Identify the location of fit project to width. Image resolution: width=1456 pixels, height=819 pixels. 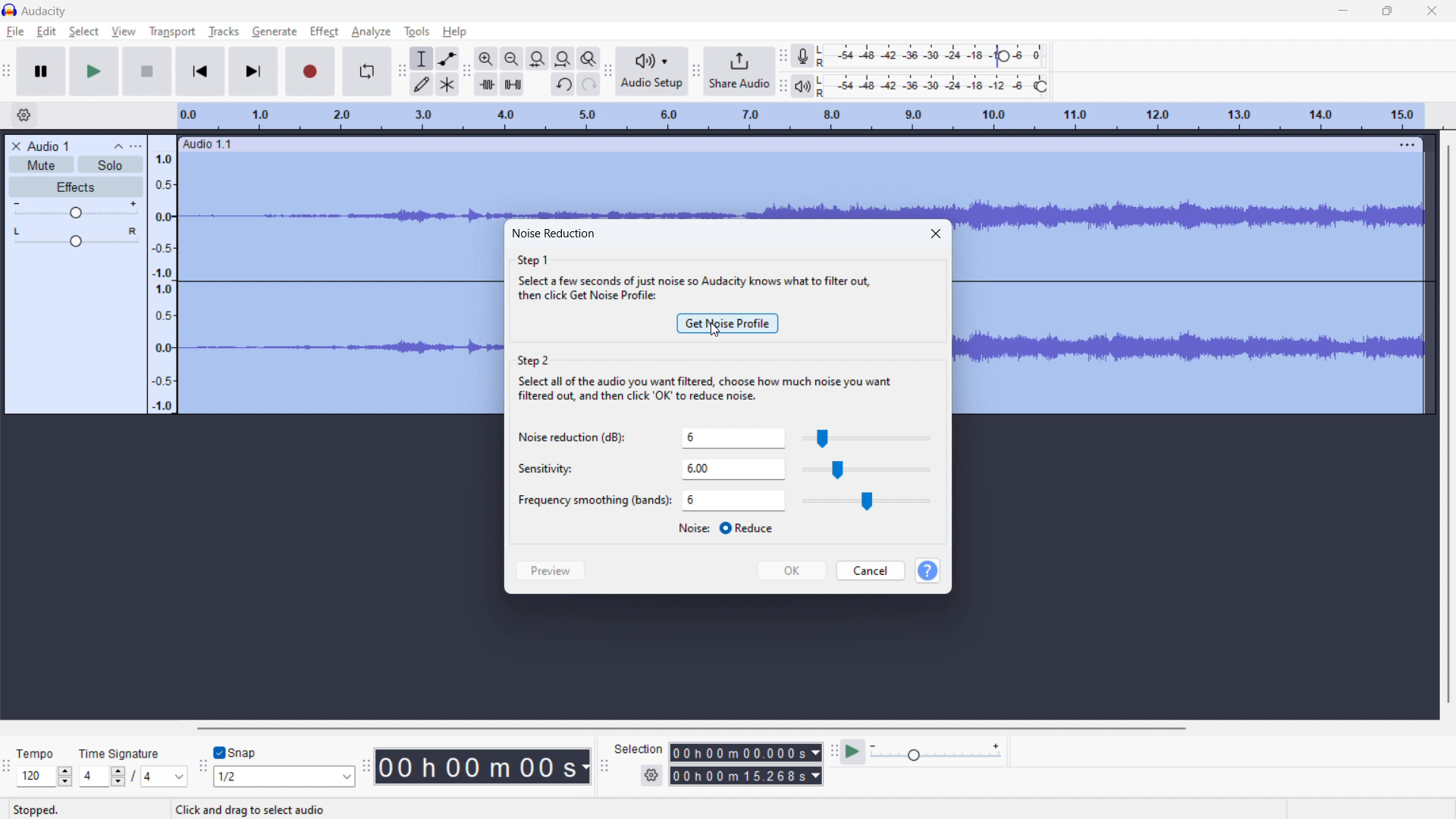
(563, 58).